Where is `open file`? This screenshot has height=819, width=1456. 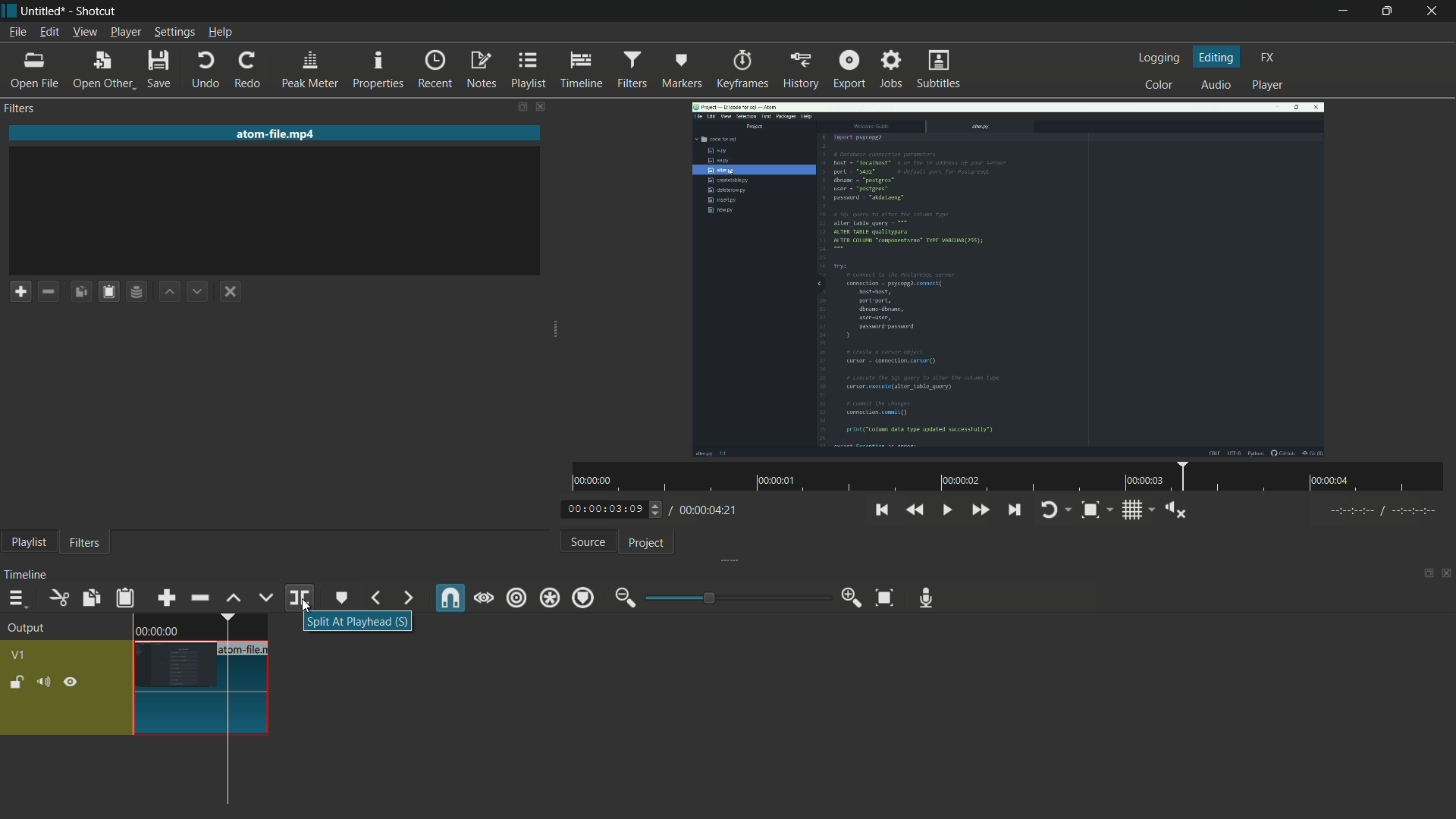
open file is located at coordinates (34, 71).